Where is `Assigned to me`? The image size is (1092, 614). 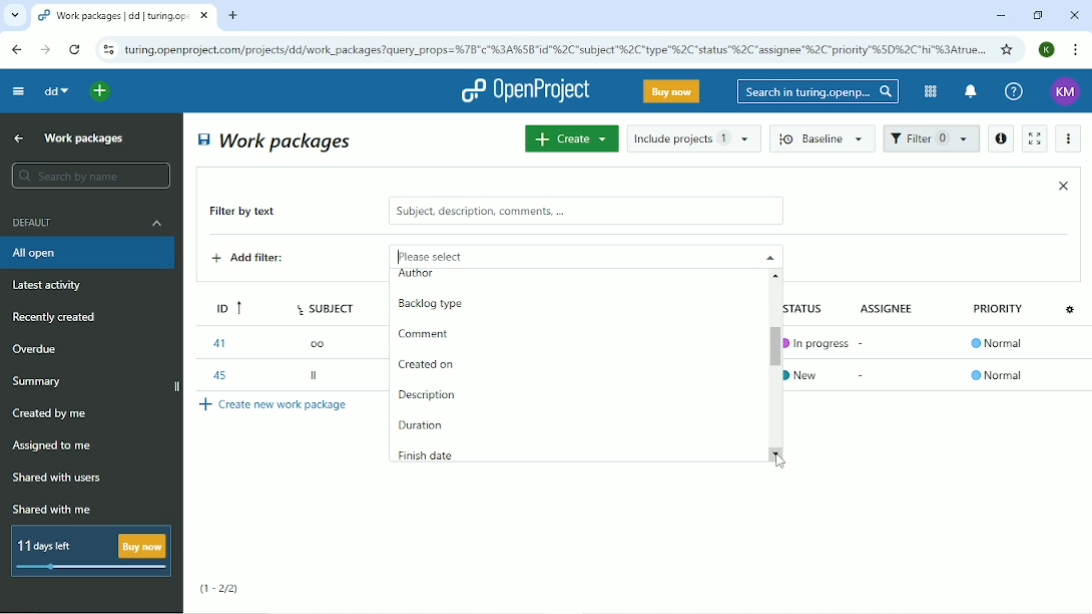 Assigned to me is located at coordinates (53, 446).